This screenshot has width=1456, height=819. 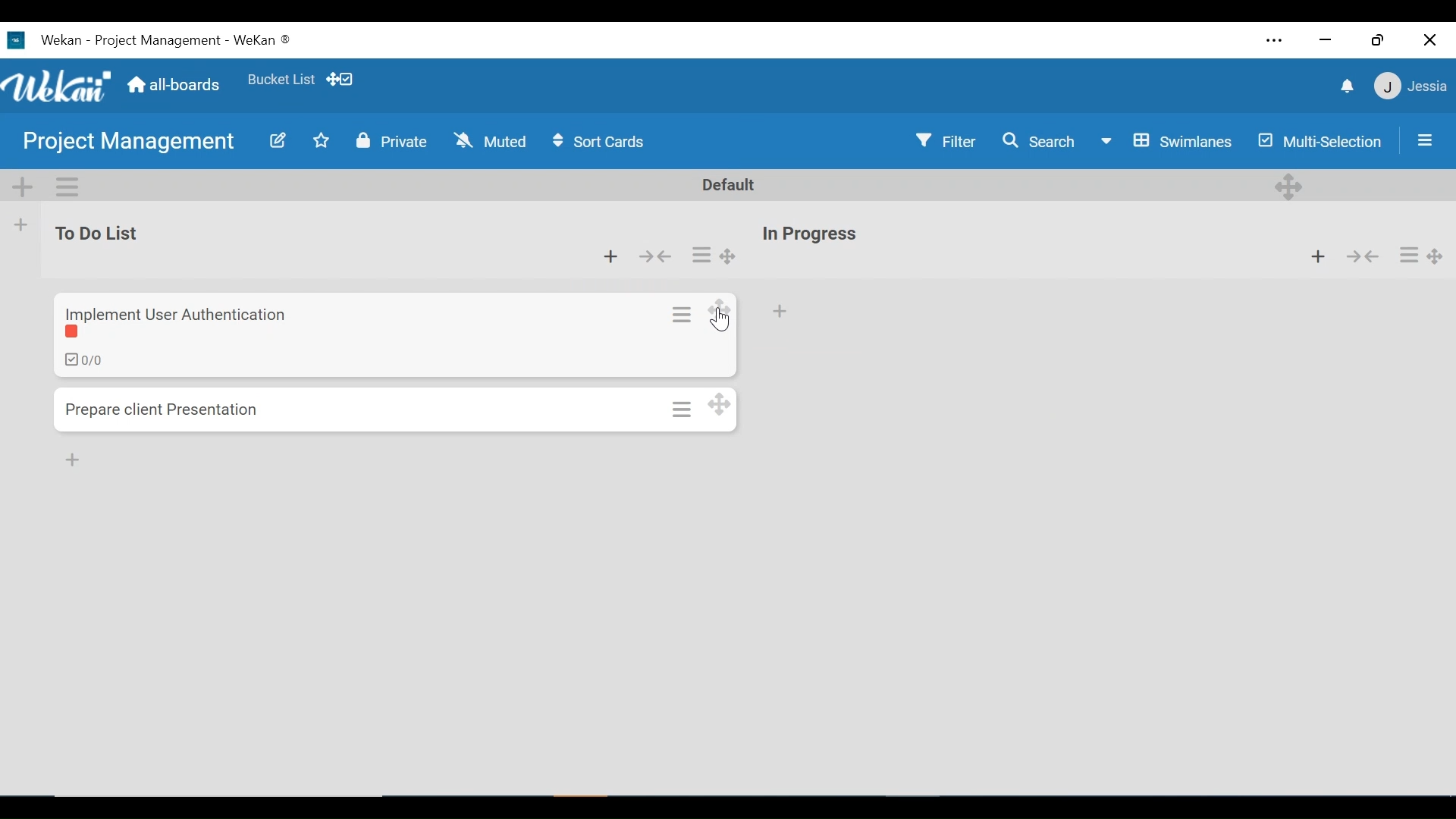 What do you see at coordinates (720, 309) in the screenshot?
I see `Desktop drag hande` at bounding box center [720, 309].